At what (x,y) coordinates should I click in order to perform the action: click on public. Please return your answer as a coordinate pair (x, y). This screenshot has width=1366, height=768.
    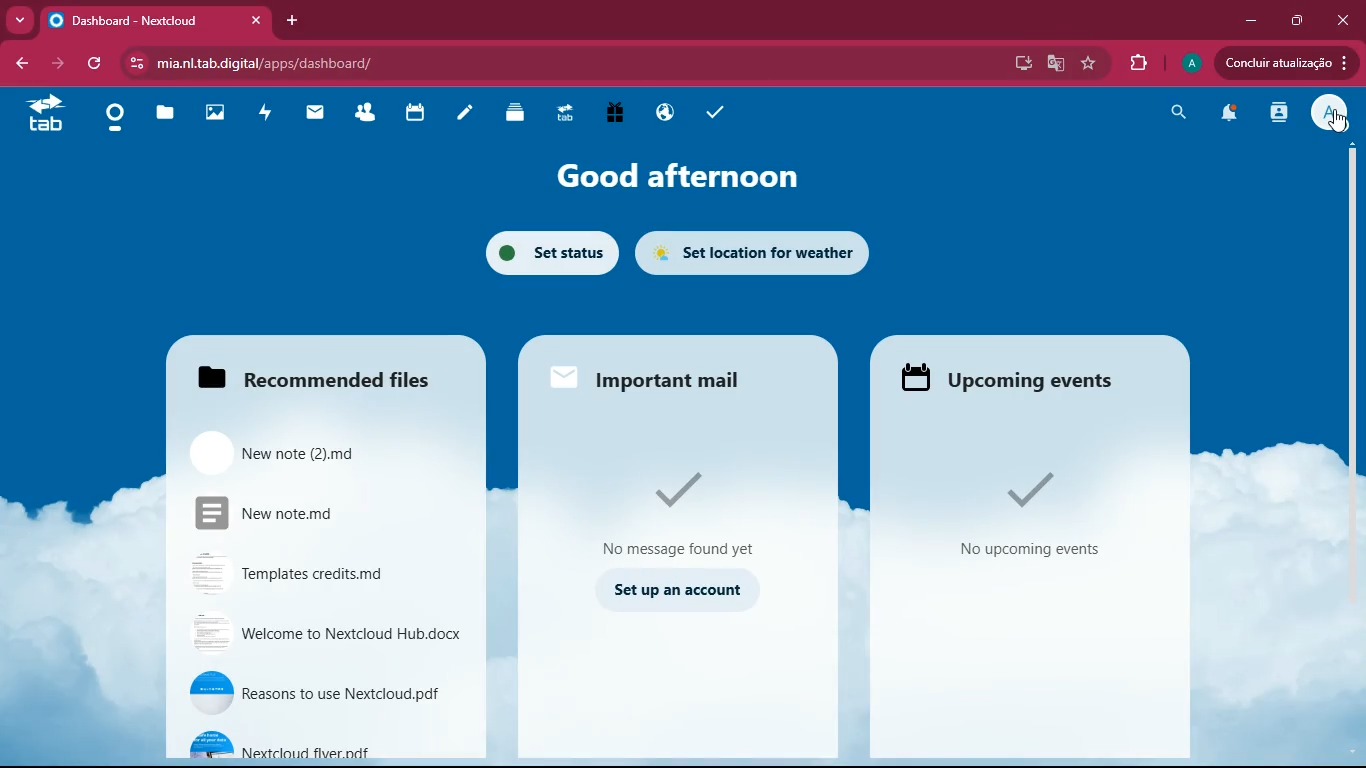
    Looking at the image, I should click on (665, 110).